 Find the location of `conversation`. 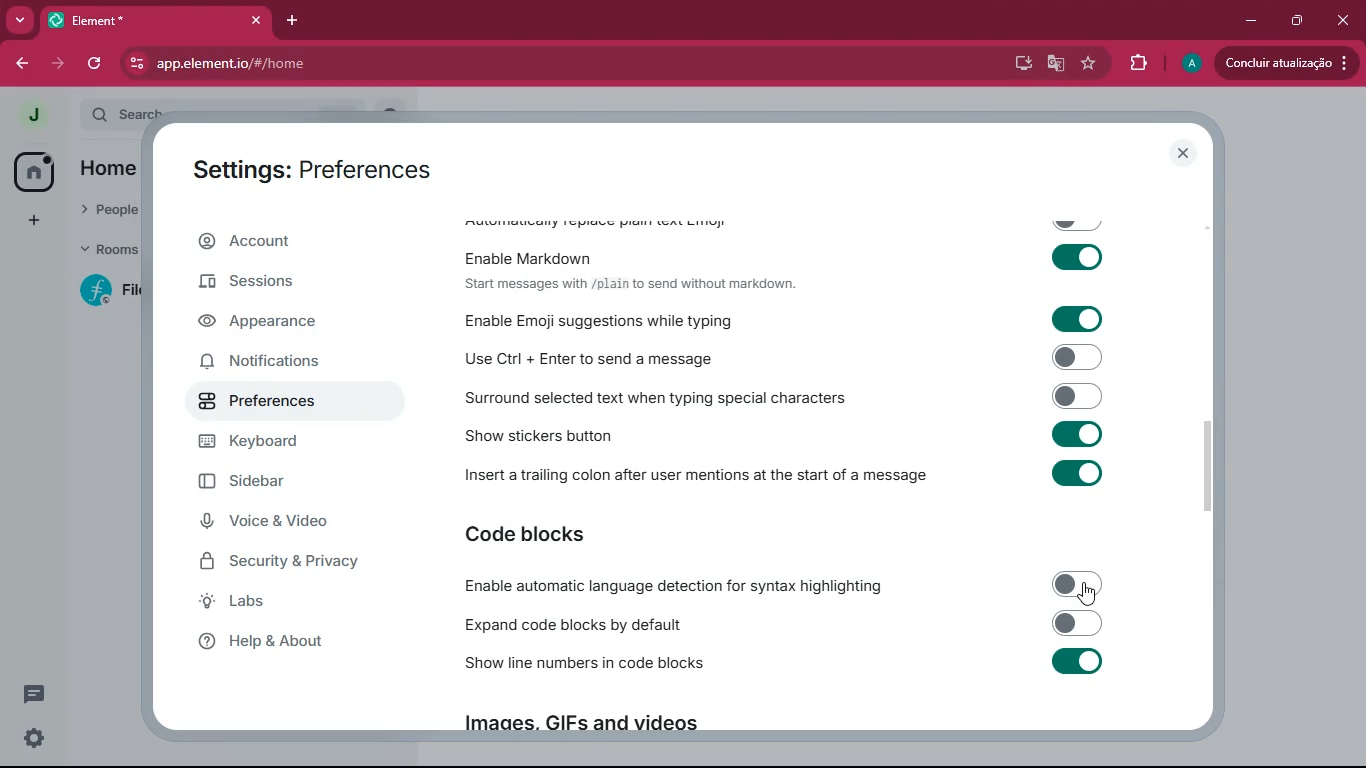

conversation is located at coordinates (32, 694).